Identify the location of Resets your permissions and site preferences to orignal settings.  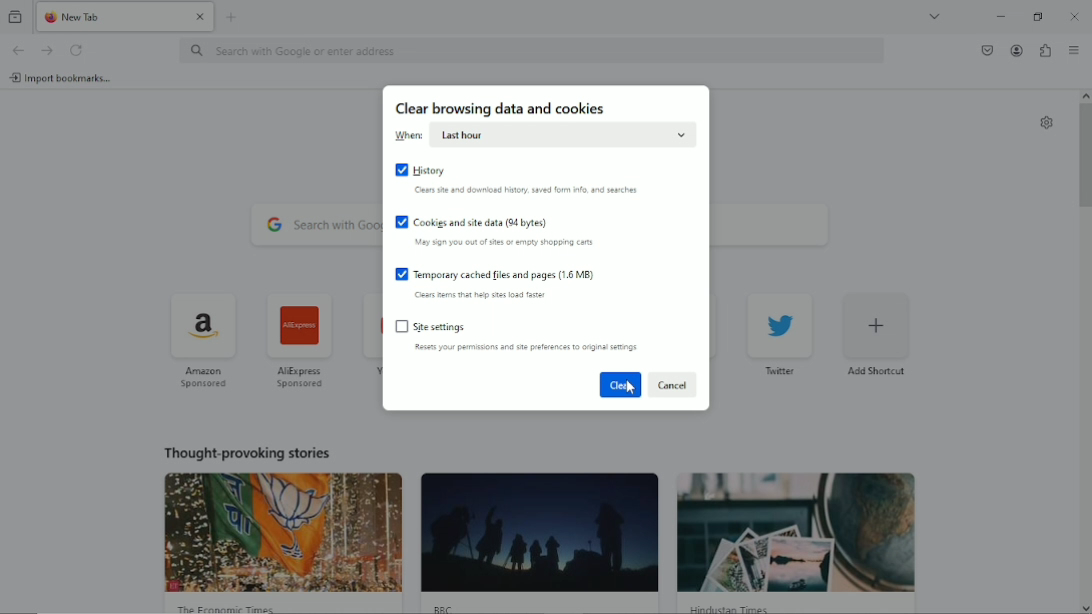
(526, 347).